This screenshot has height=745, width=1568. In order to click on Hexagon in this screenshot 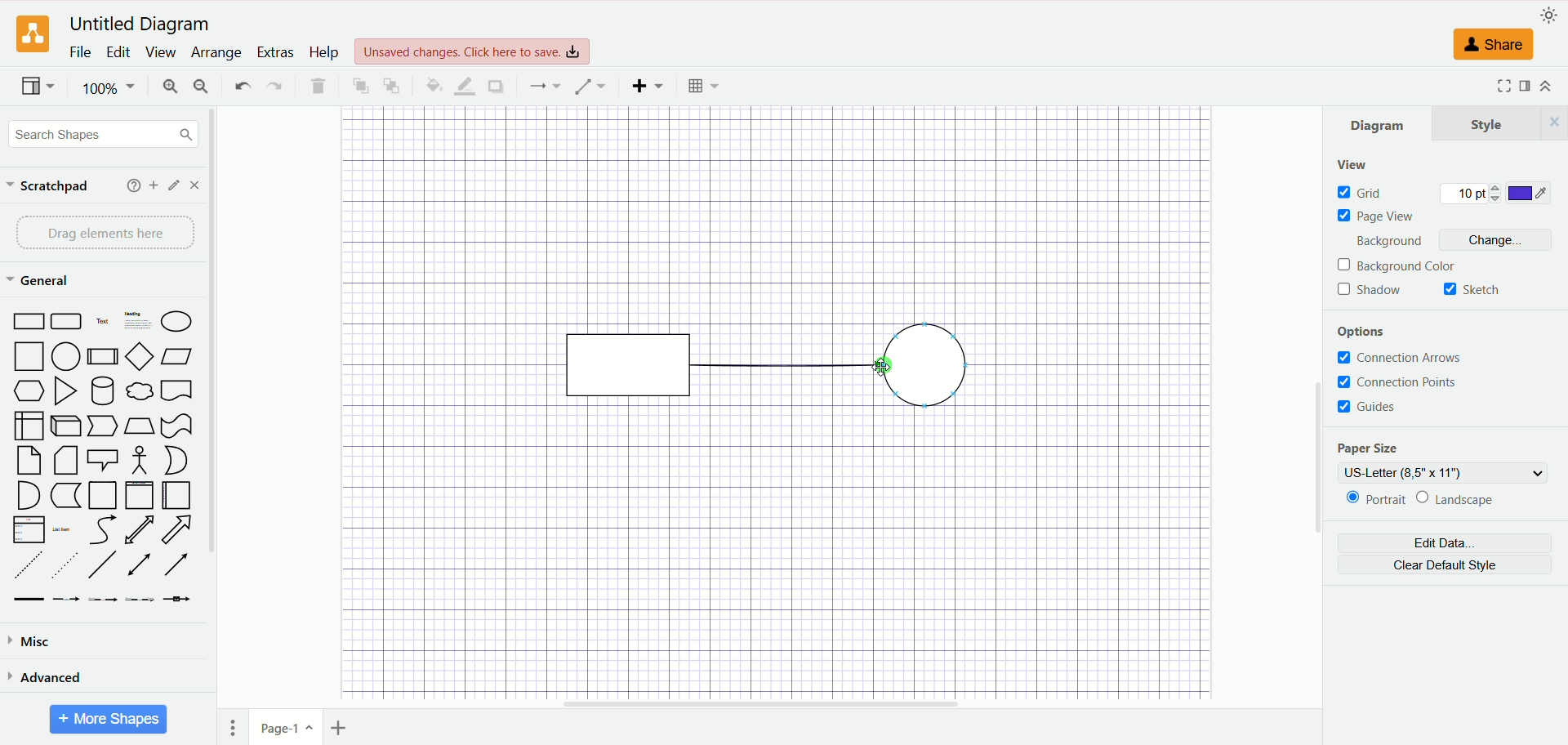, I will do `click(29, 392)`.